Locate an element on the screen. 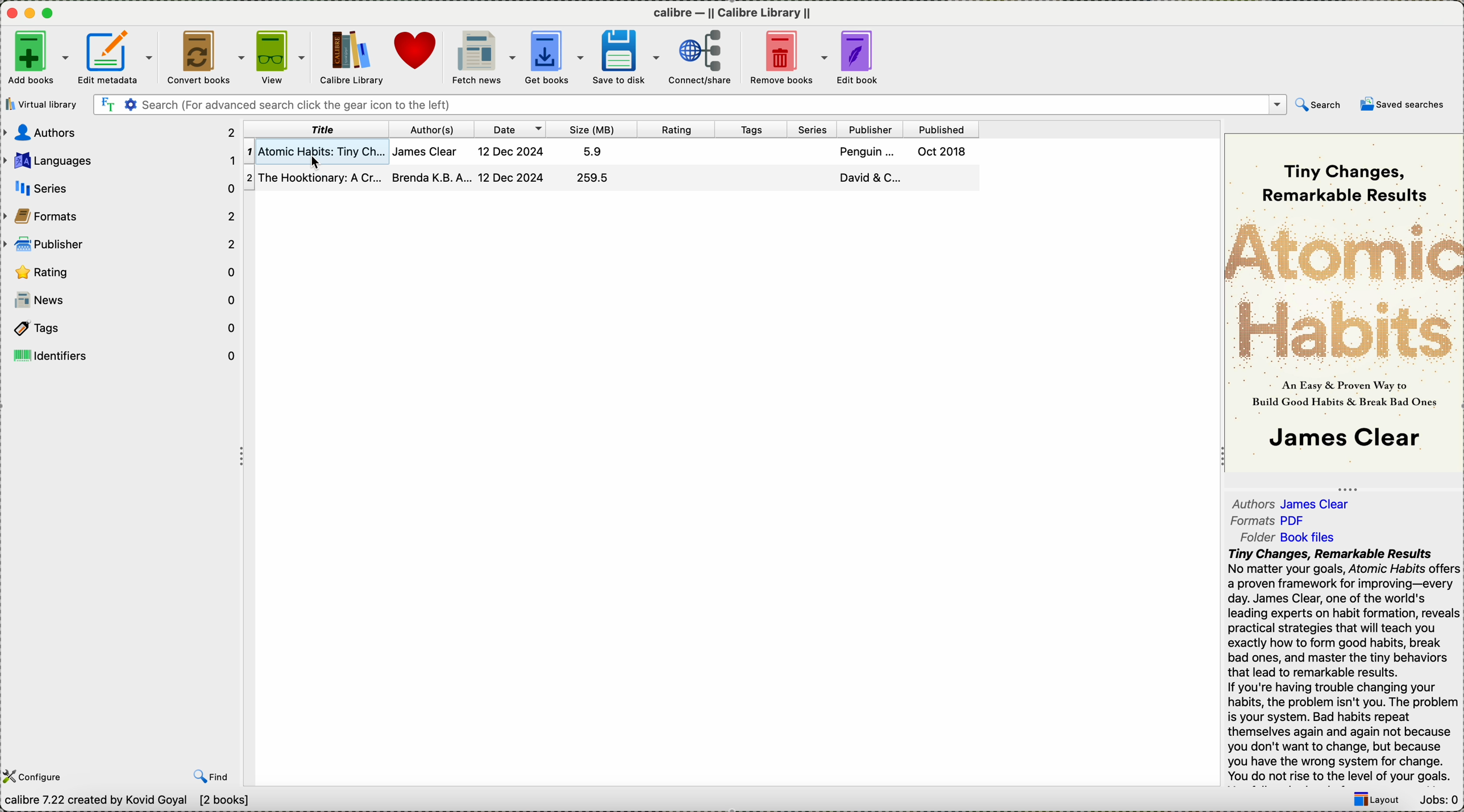  author(s) is located at coordinates (431, 129).